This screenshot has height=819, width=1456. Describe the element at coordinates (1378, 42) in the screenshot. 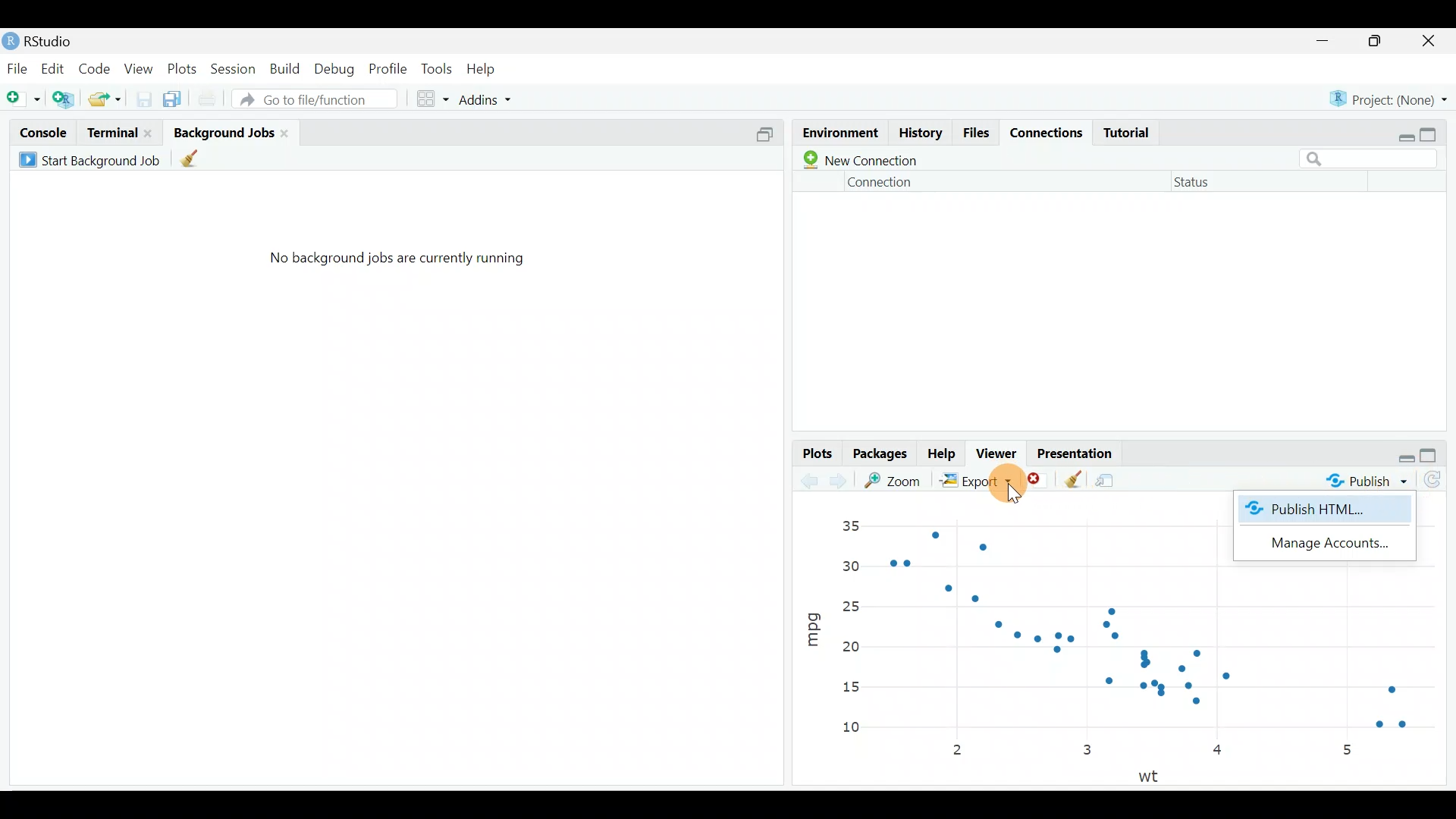

I see `Maximize` at that location.